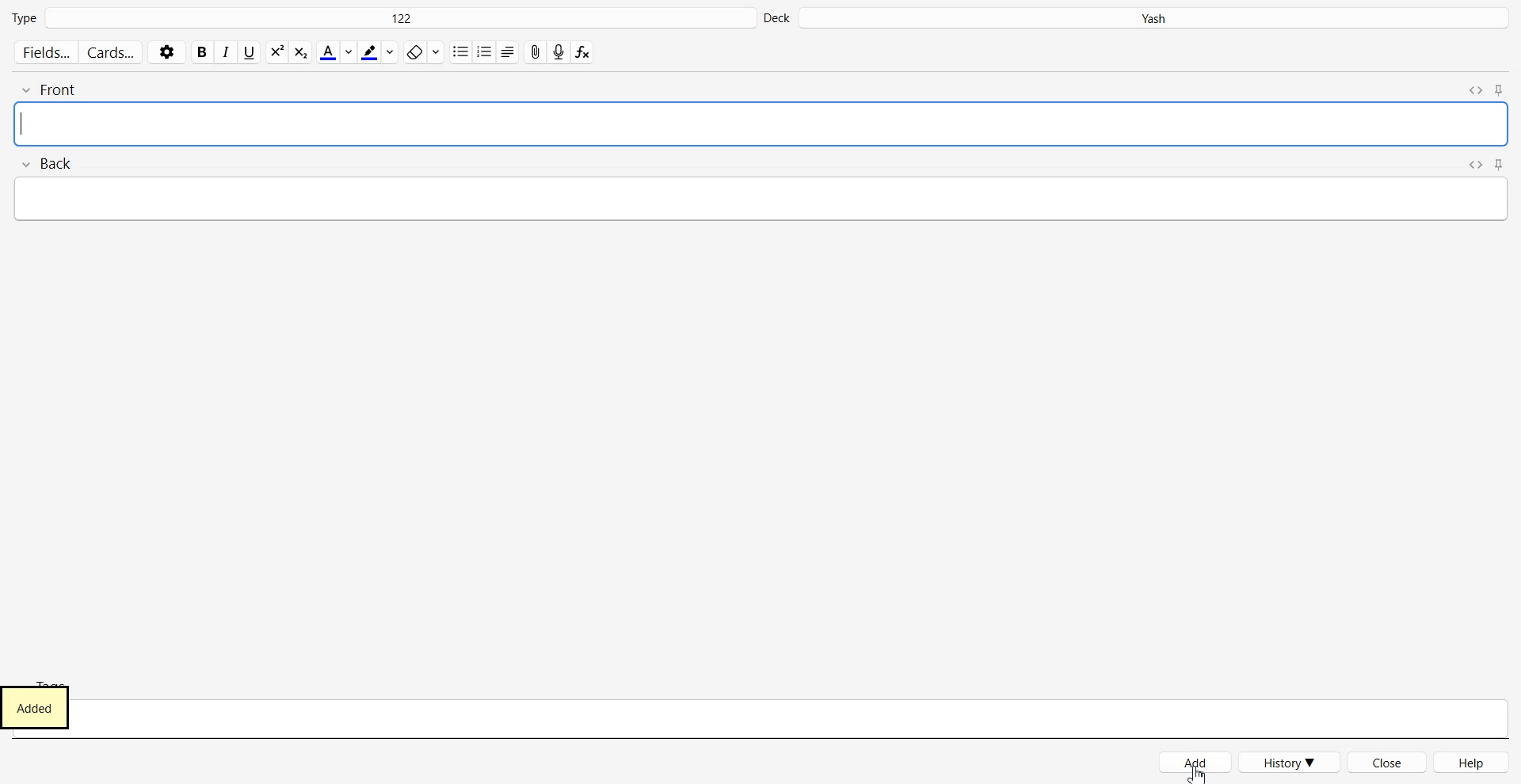  What do you see at coordinates (583, 52) in the screenshot?
I see `Equation` at bounding box center [583, 52].